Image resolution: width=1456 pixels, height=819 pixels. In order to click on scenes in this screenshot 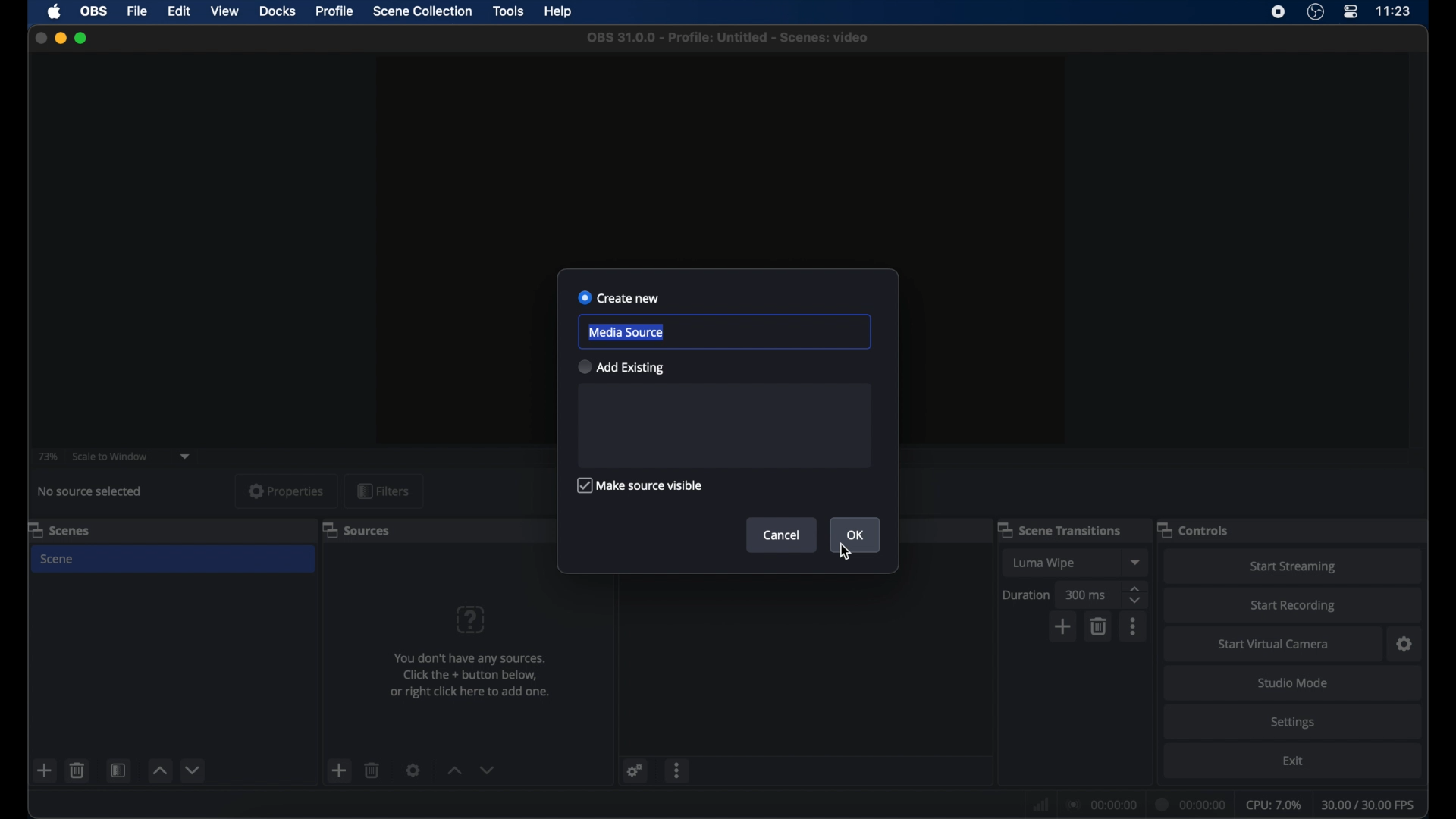, I will do `click(60, 529)`.